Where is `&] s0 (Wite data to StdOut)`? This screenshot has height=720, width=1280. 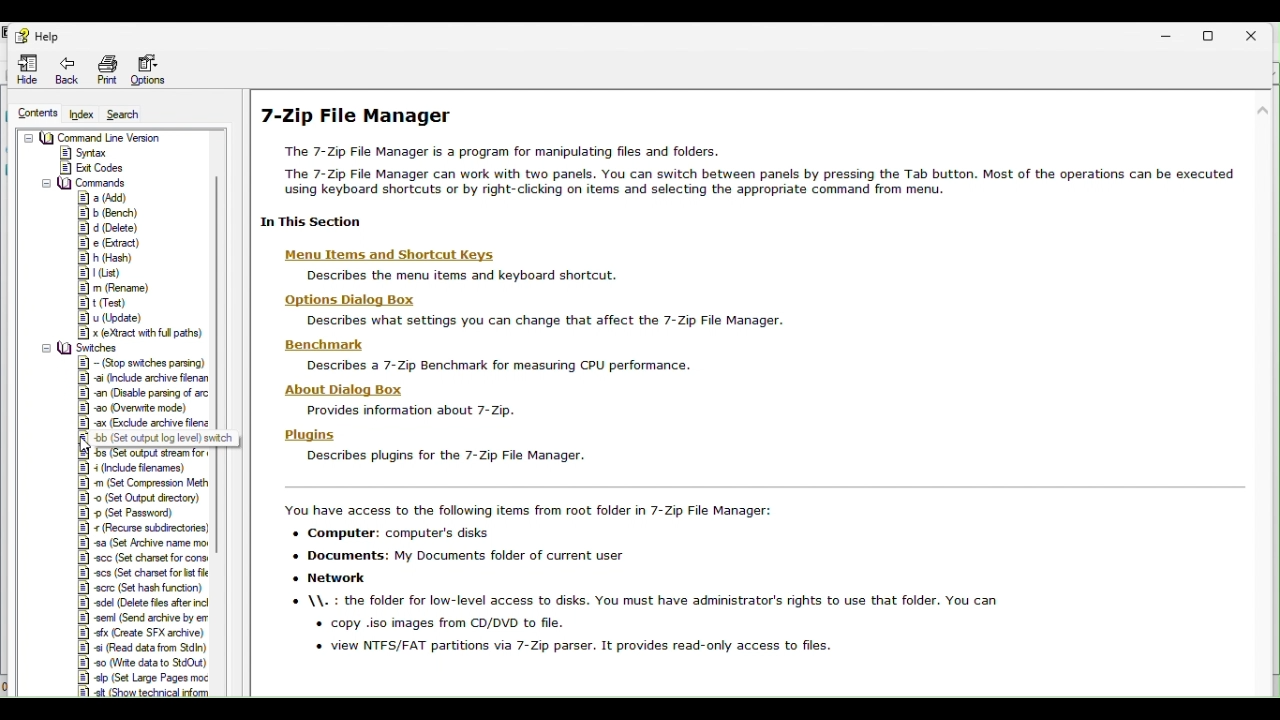
&] s0 (Wite data to StdOut) is located at coordinates (142, 663).